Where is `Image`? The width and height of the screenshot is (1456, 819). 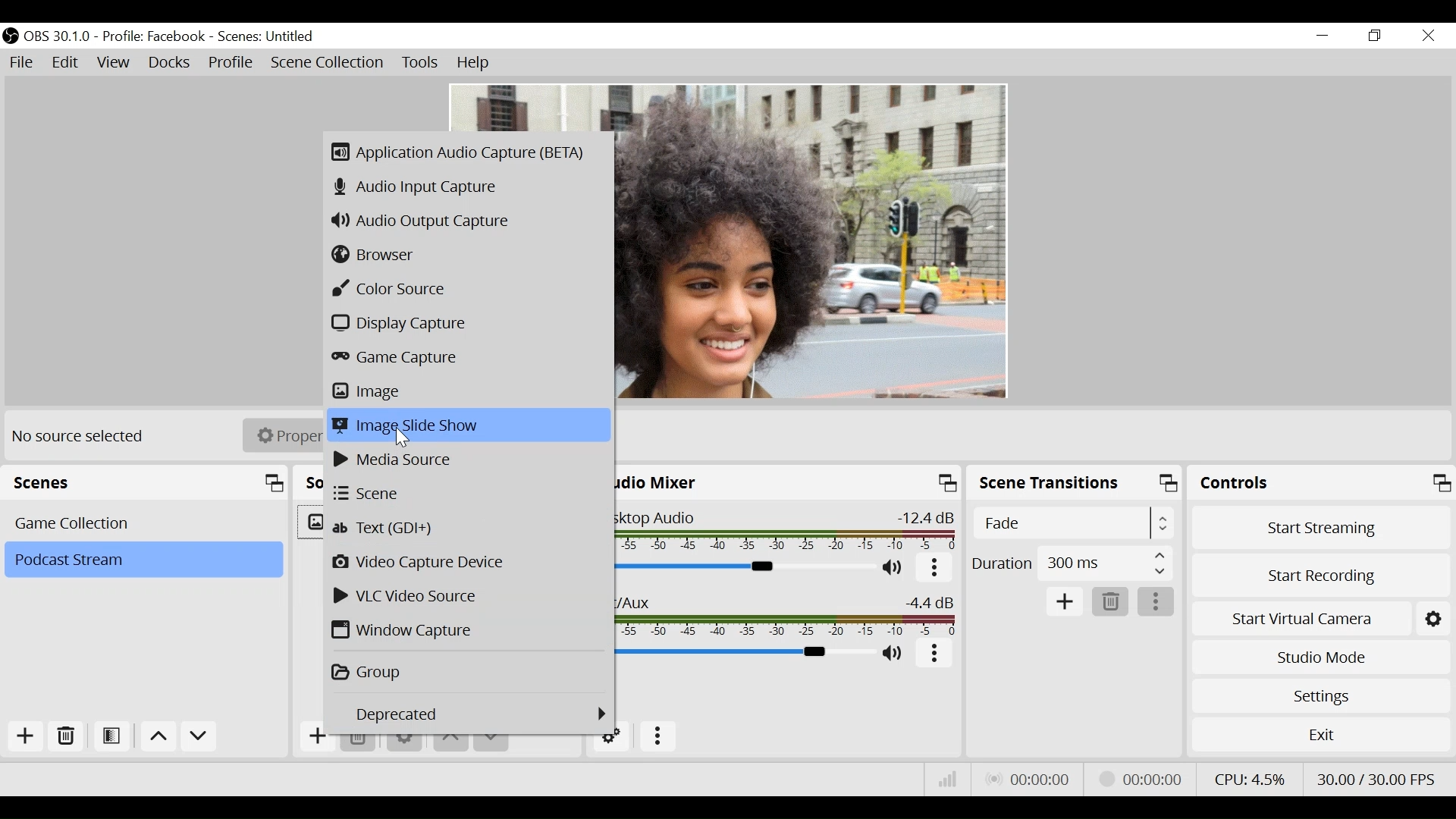
Image is located at coordinates (466, 392).